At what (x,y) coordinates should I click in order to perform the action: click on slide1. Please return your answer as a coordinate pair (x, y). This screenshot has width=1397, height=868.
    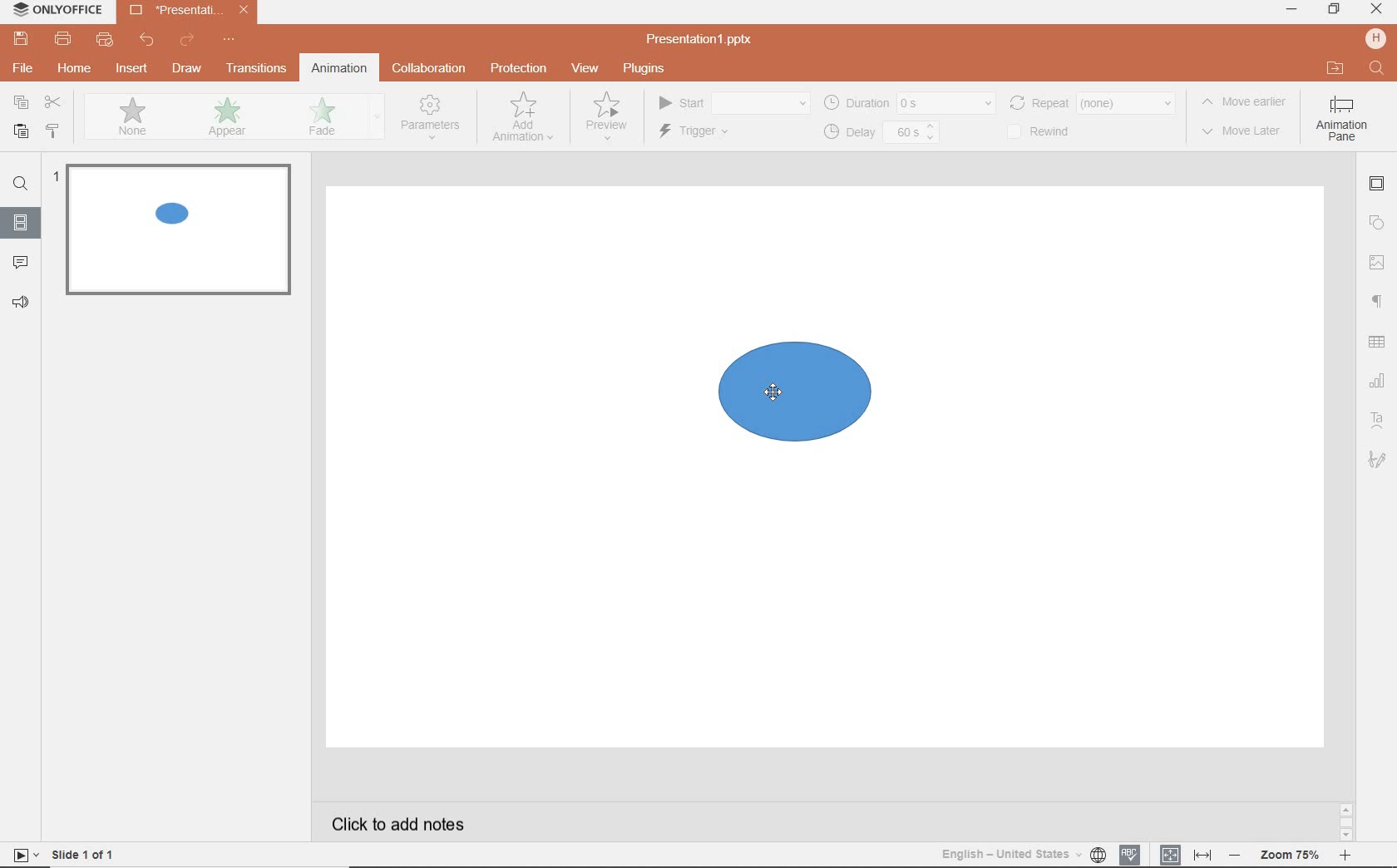
    Looking at the image, I should click on (183, 233).